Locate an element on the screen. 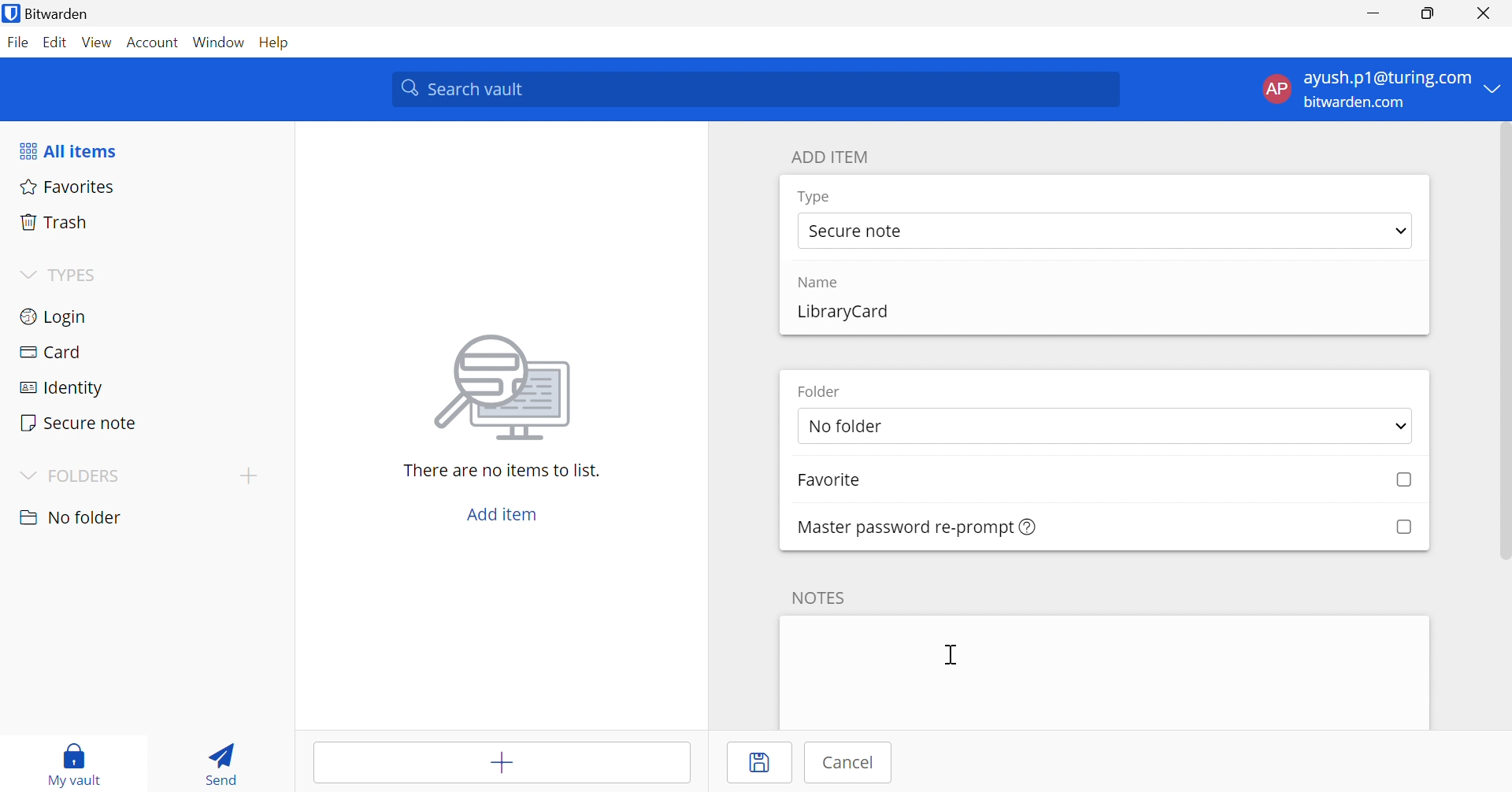 The height and width of the screenshot is (792, 1512). Card is located at coordinates (141, 349).